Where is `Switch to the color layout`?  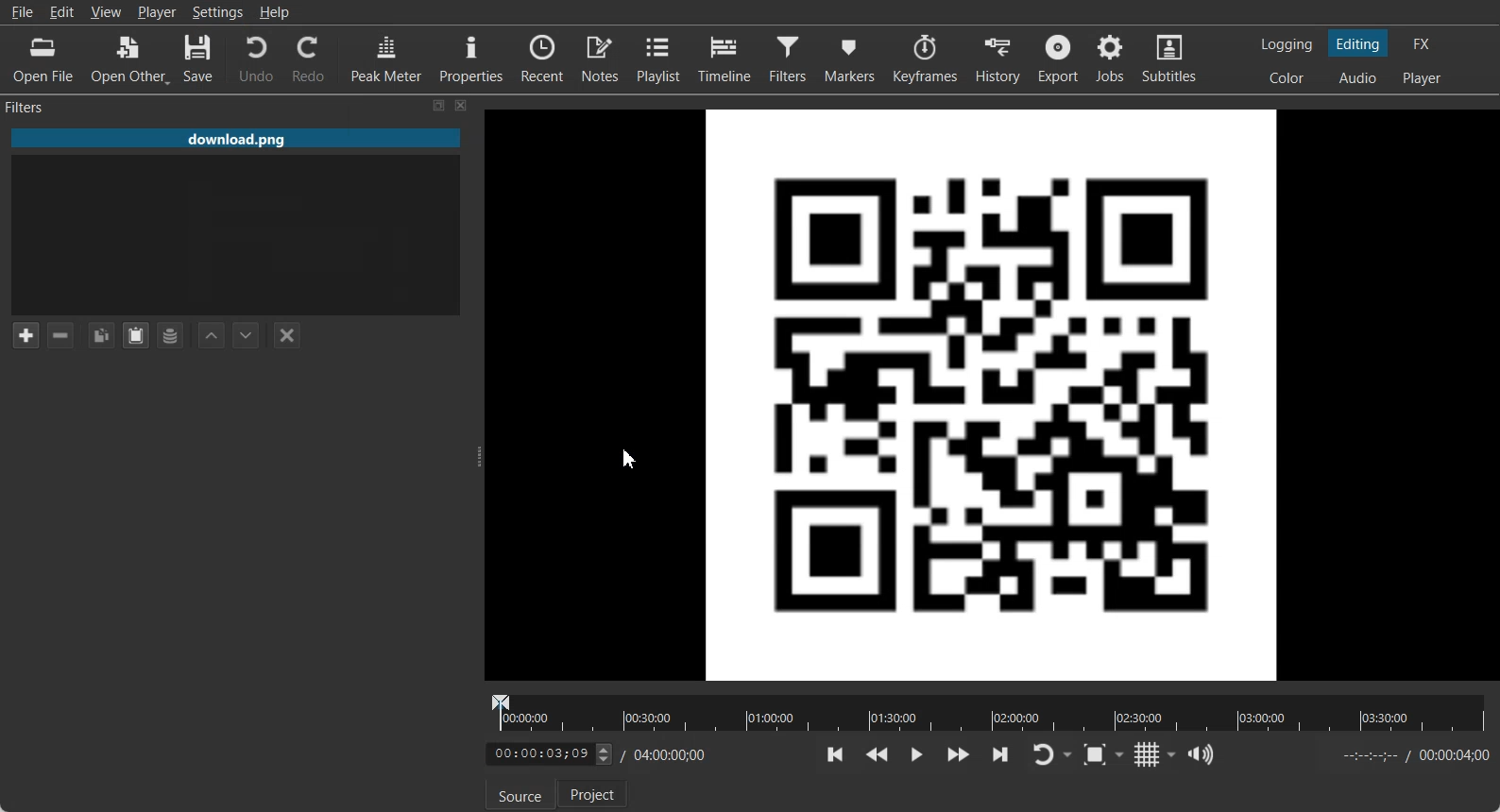
Switch to the color layout is located at coordinates (1288, 77).